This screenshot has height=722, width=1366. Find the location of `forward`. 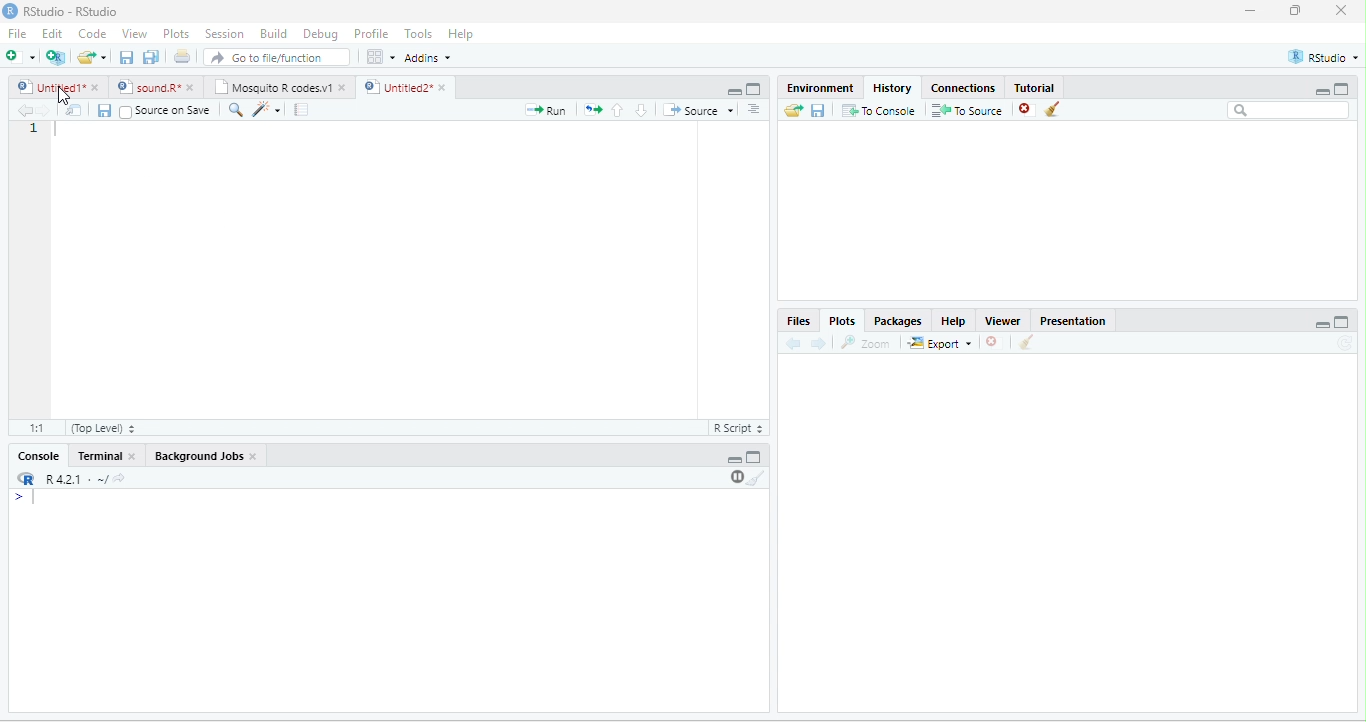

forward is located at coordinates (818, 344).